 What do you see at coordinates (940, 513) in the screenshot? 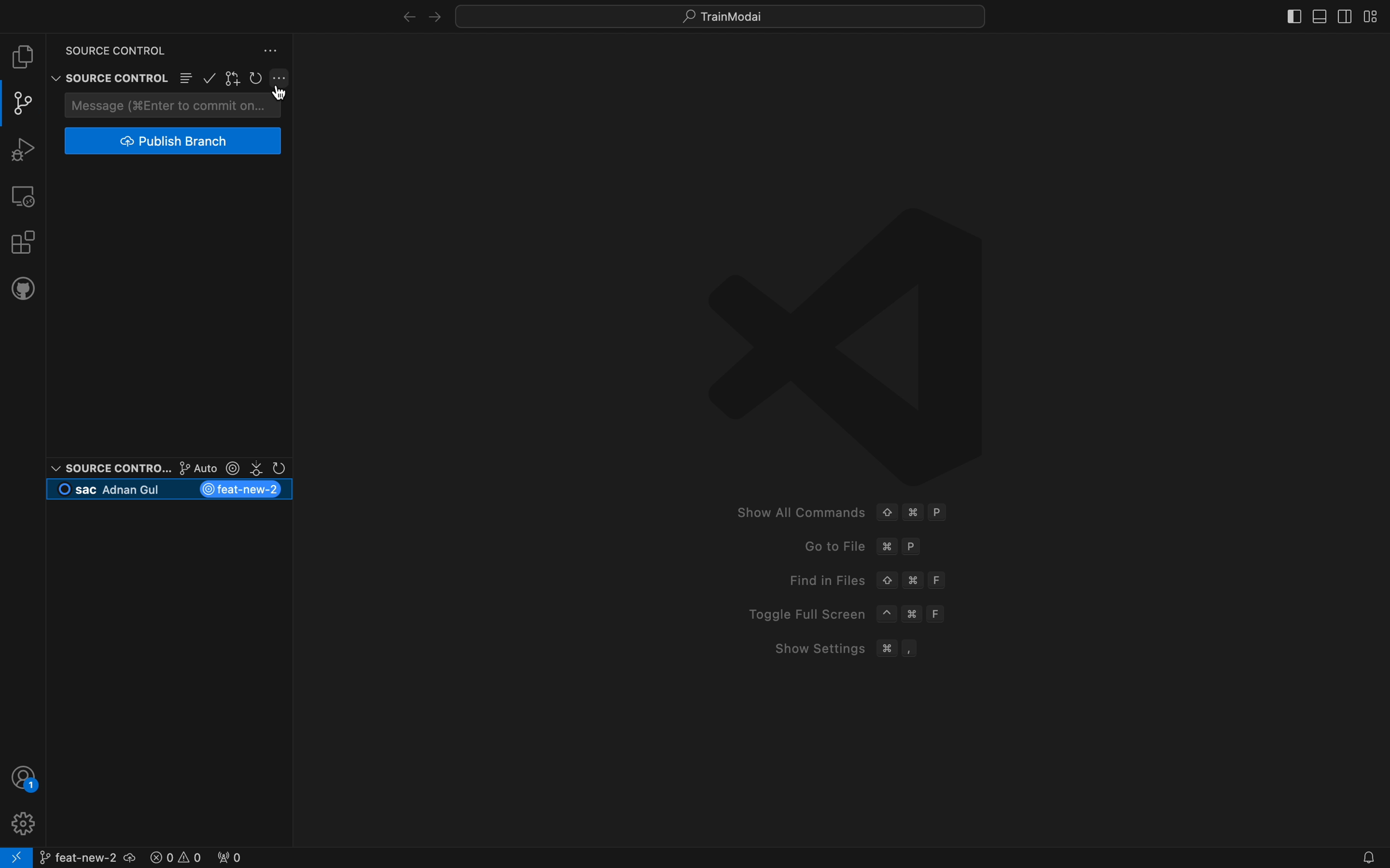
I see `P` at bounding box center [940, 513].